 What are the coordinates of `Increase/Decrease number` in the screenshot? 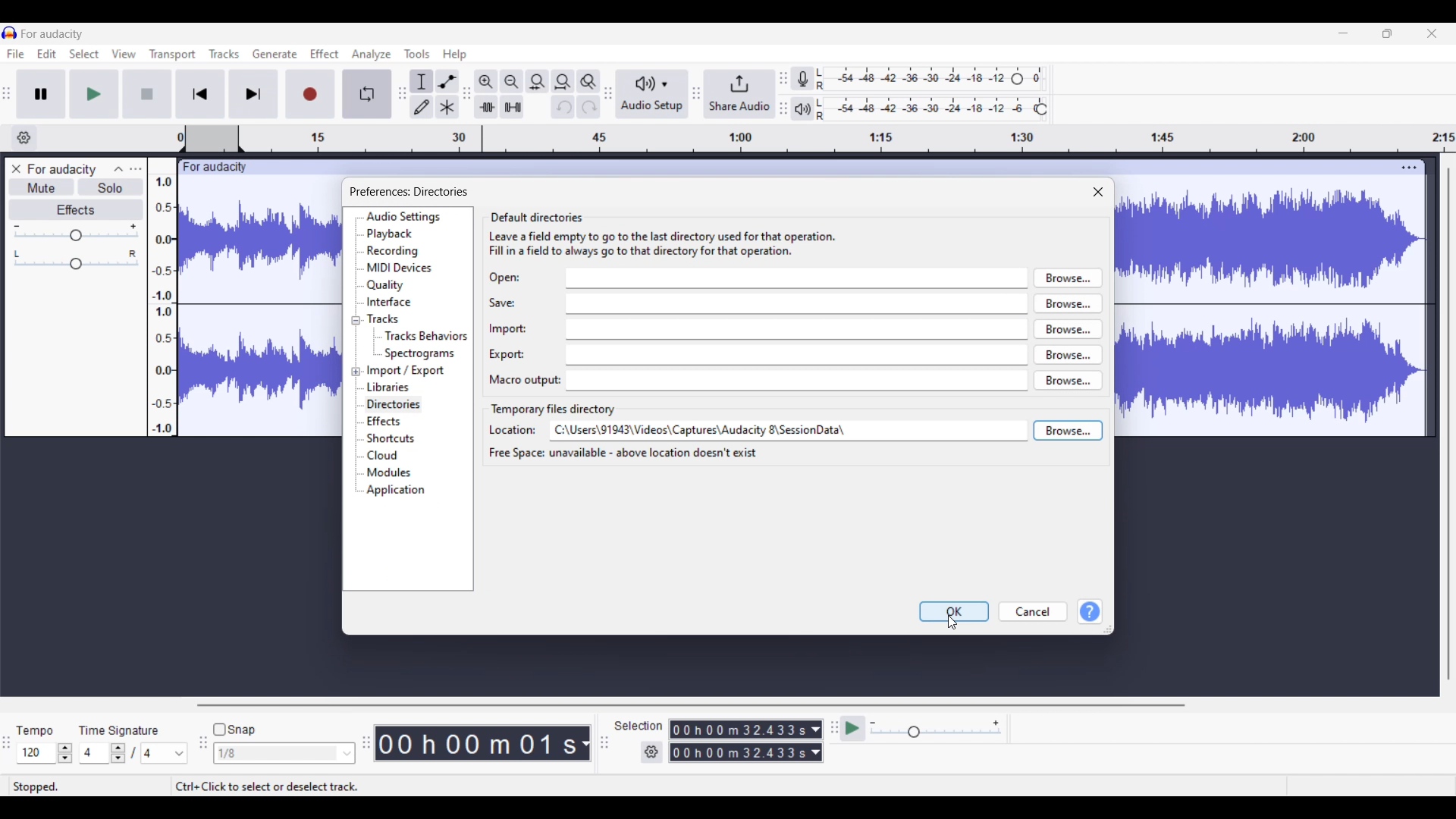 It's located at (118, 753).